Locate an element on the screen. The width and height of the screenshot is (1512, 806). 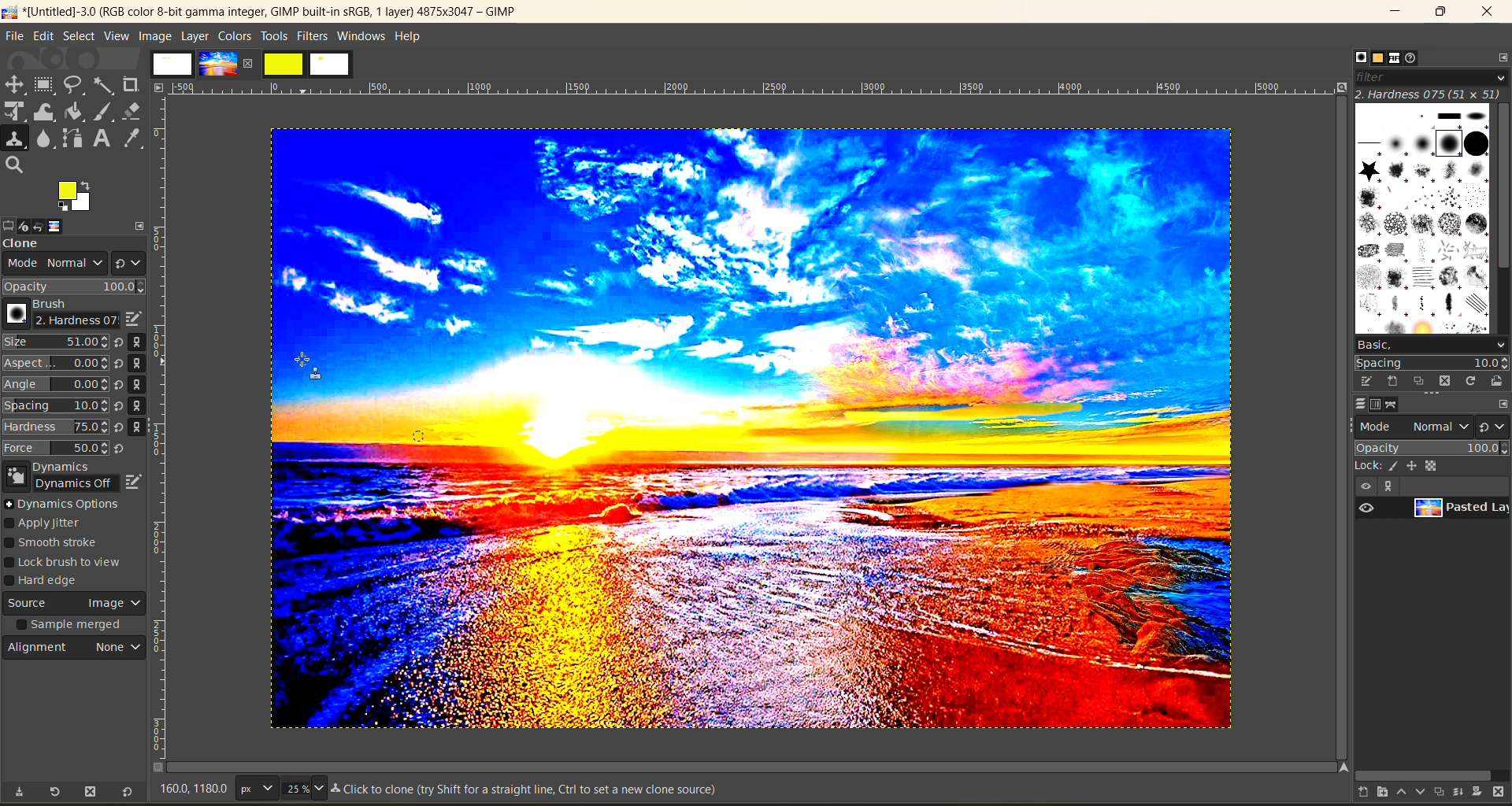
740.0, 1580.0 is located at coordinates (191, 791).